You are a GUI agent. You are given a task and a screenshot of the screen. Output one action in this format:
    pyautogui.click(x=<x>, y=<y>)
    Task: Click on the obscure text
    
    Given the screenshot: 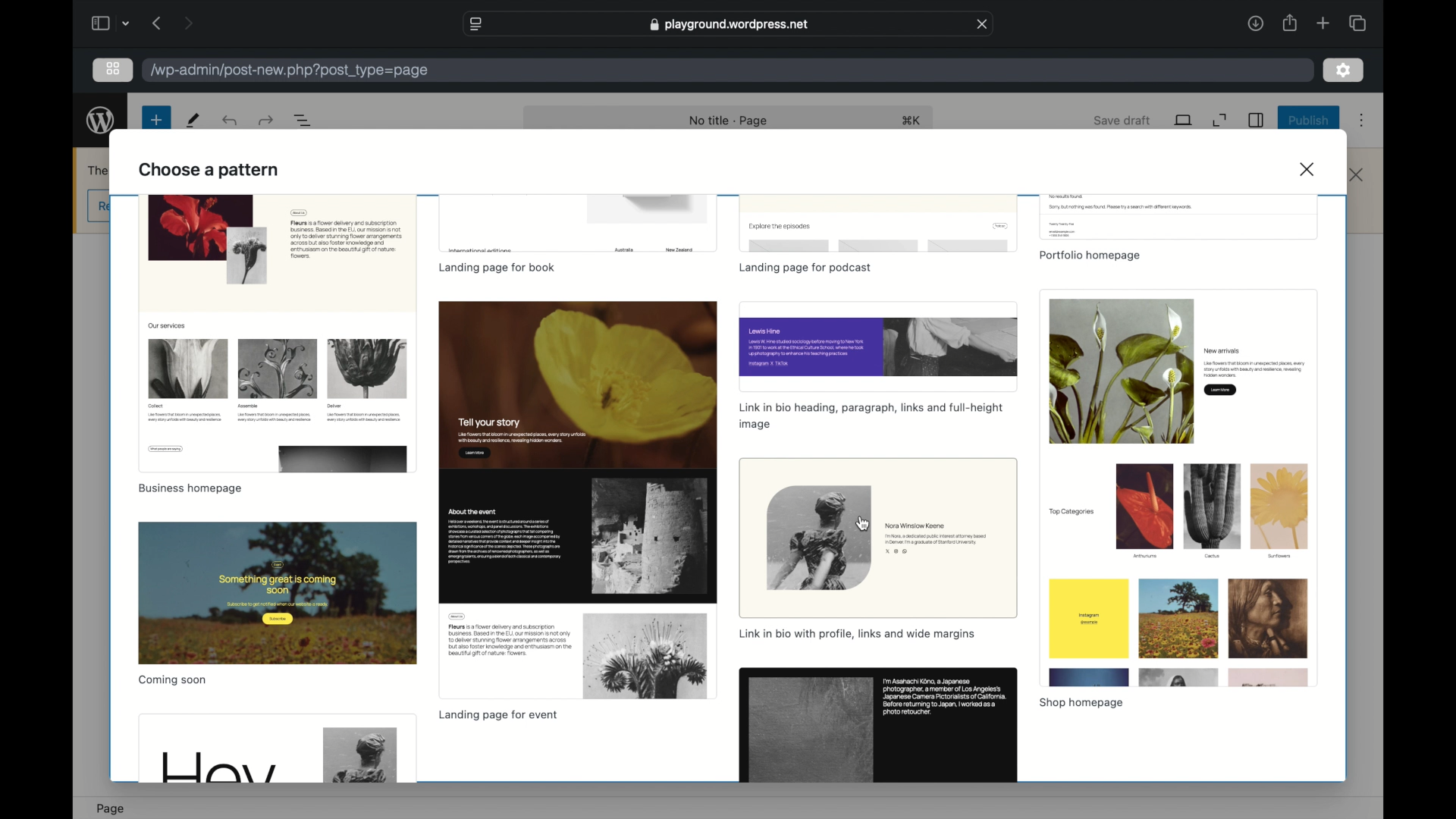 What is the action you would take?
    pyautogui.click(x=99, y=170)
    